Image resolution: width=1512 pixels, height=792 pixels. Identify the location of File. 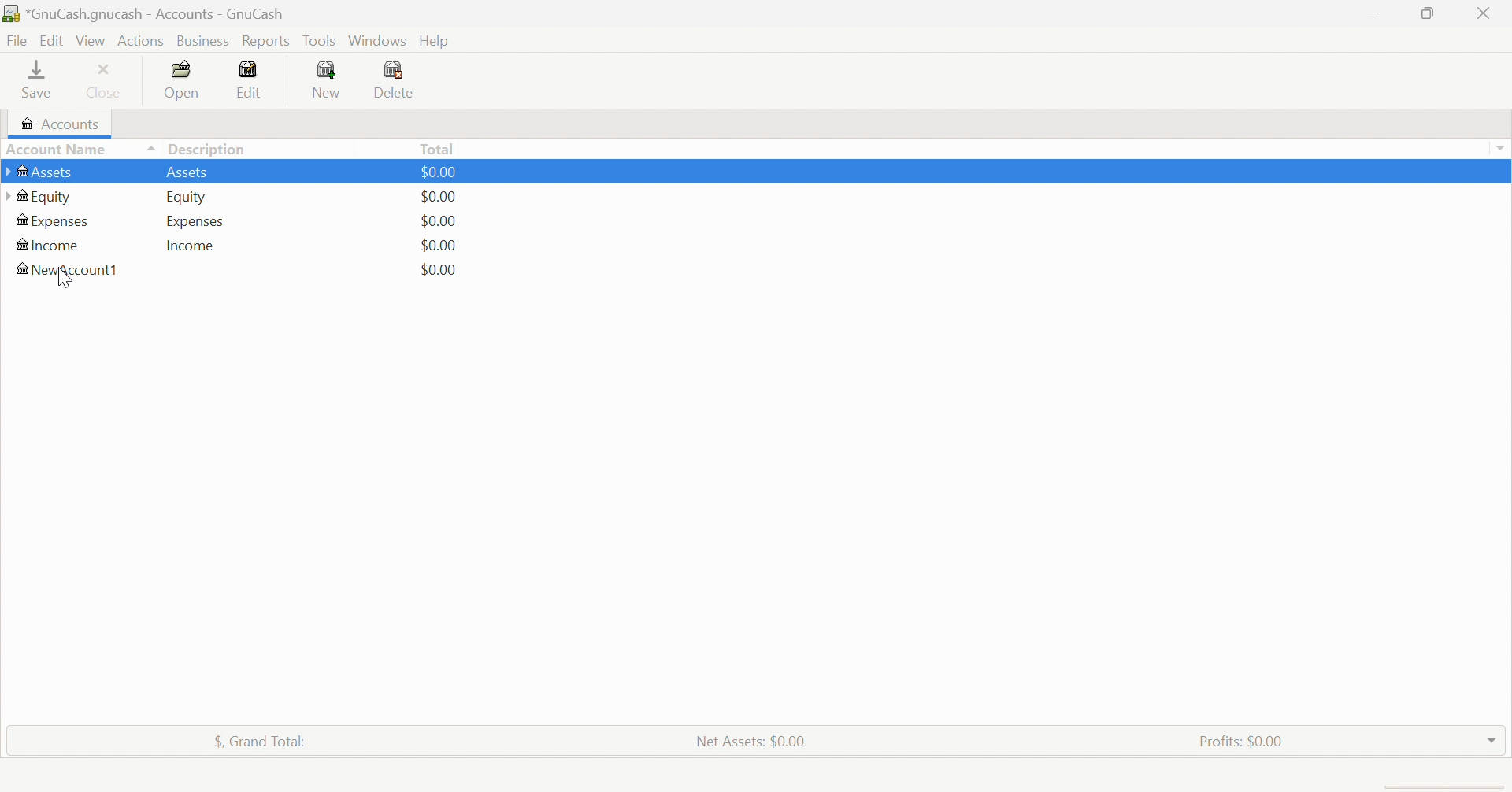
(17, 39).